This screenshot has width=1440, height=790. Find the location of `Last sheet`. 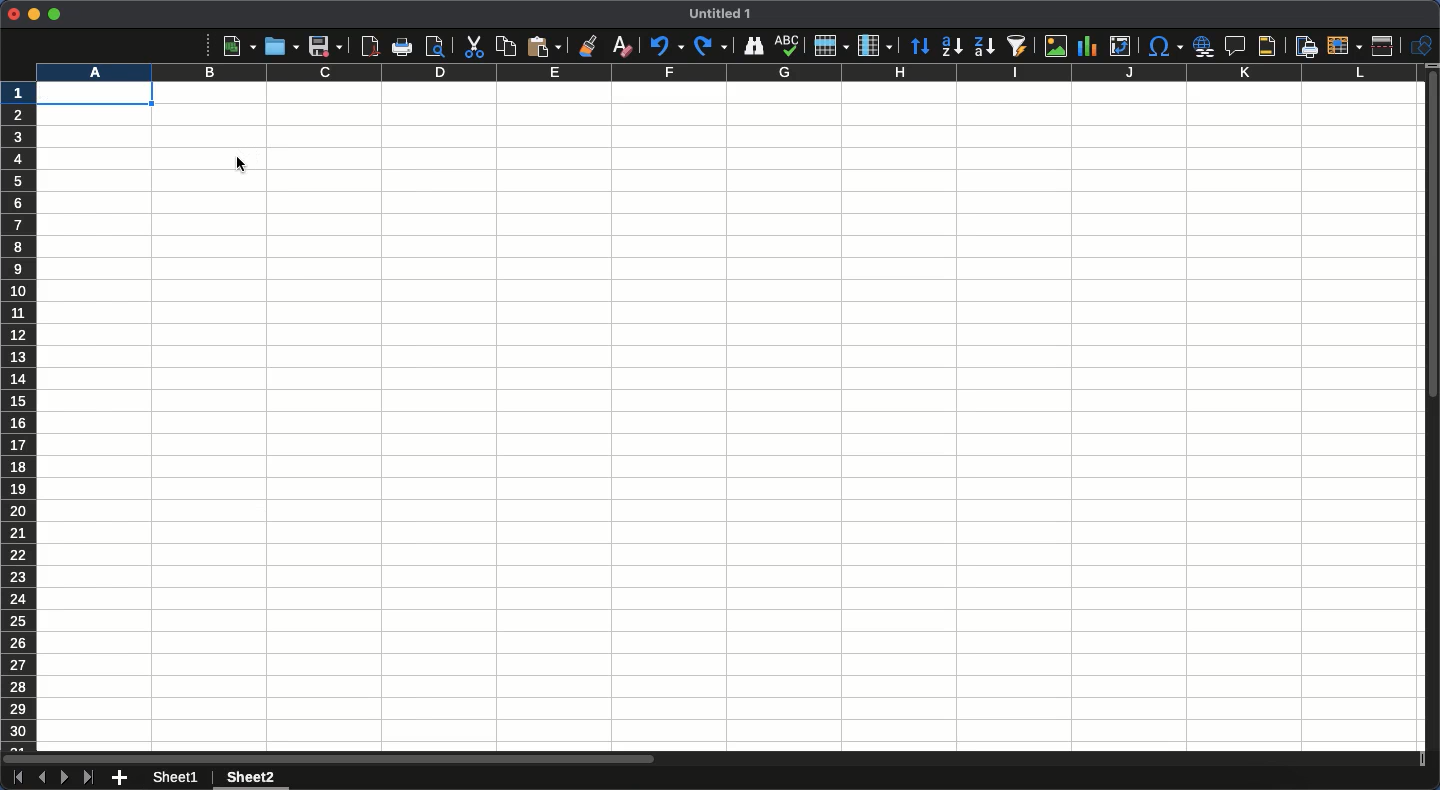

Last sheet is located at coordinates (88, 777).